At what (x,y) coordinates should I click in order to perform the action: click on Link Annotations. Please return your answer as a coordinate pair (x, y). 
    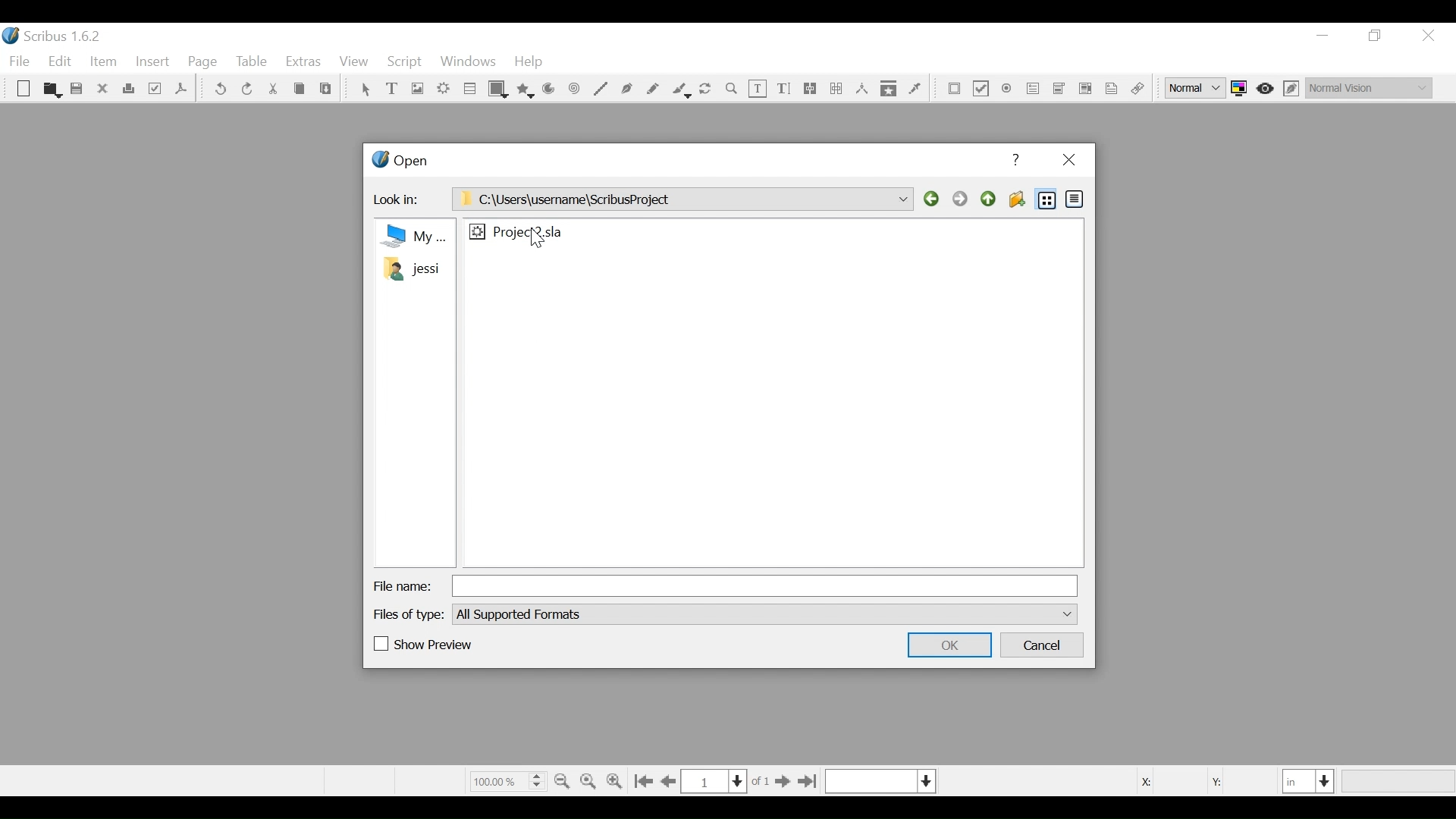
    Looking at the image, I should click on (1135, 89).